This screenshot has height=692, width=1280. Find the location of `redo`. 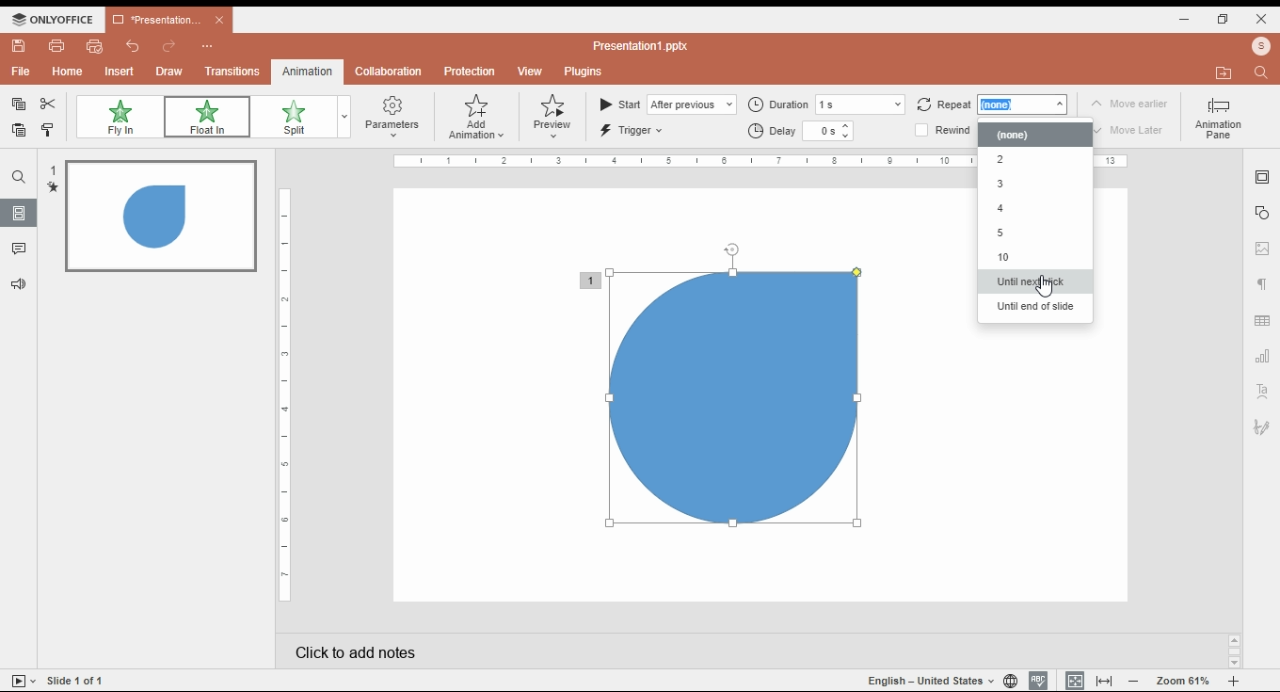

redo is located at coordinates (170, 47).